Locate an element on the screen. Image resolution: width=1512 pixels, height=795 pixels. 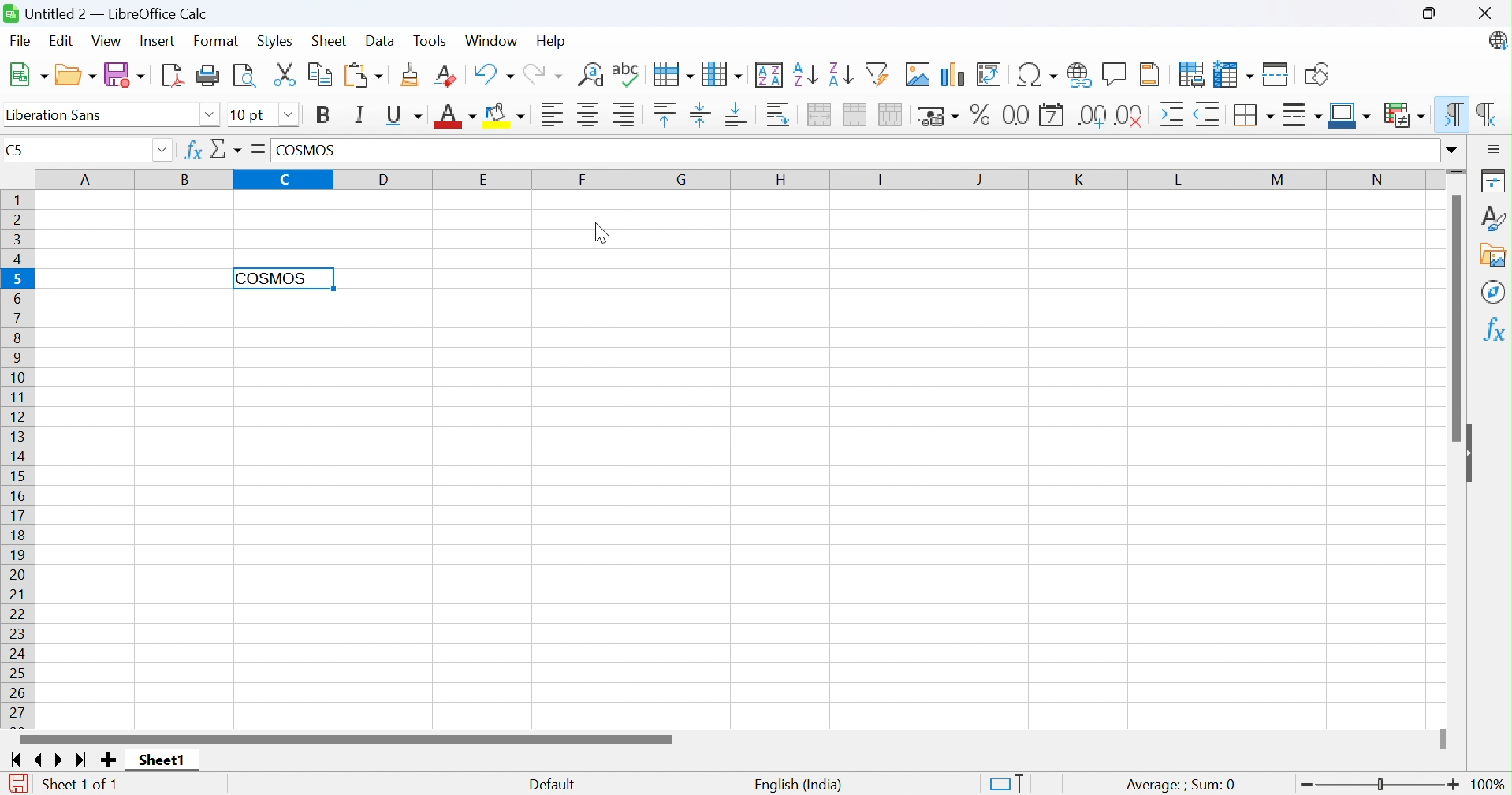
Sheet 1 of 1 is located at coordinates (84, 786).